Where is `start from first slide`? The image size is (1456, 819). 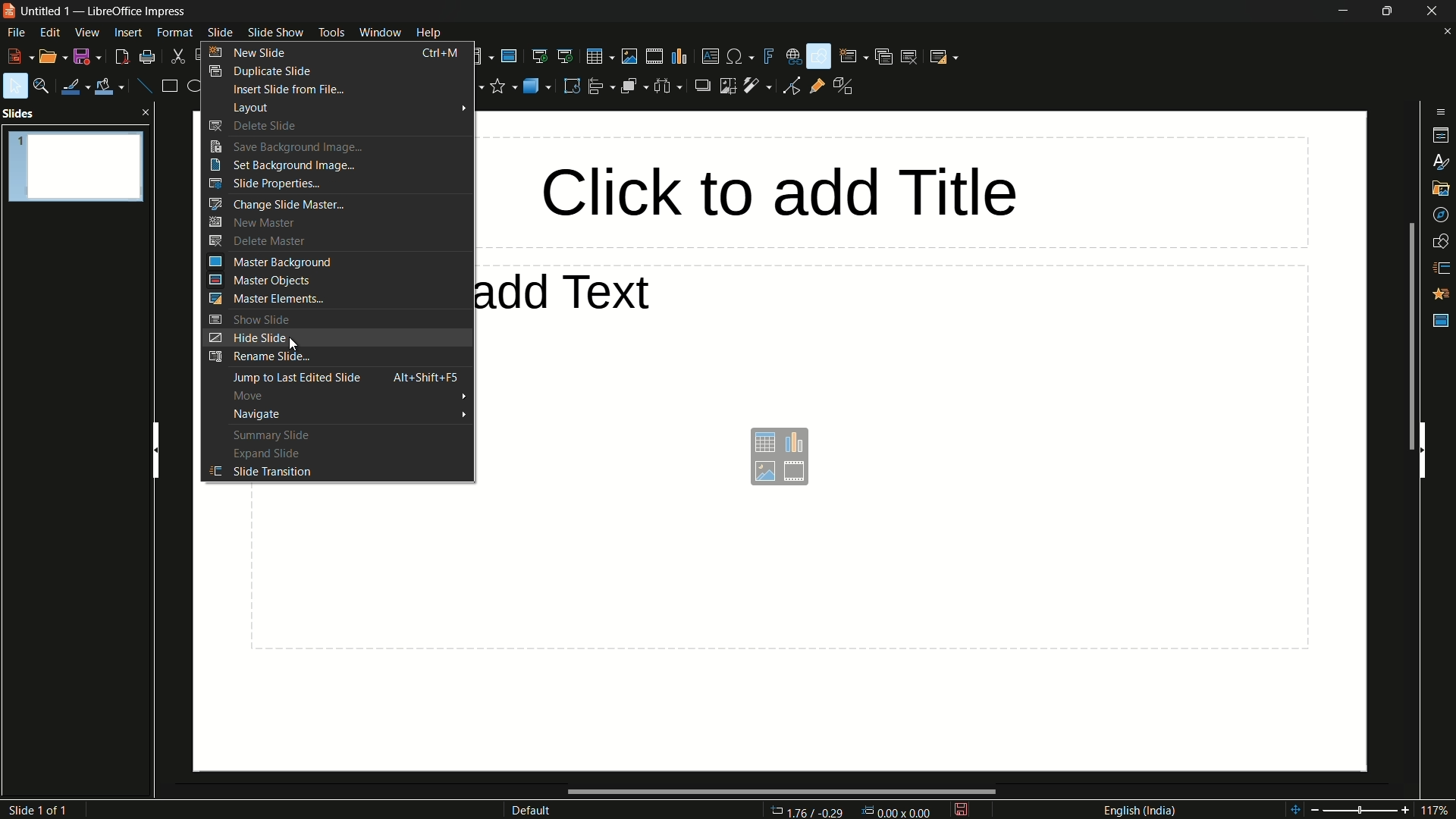
start from first slide is located at coordinates (538, 56).